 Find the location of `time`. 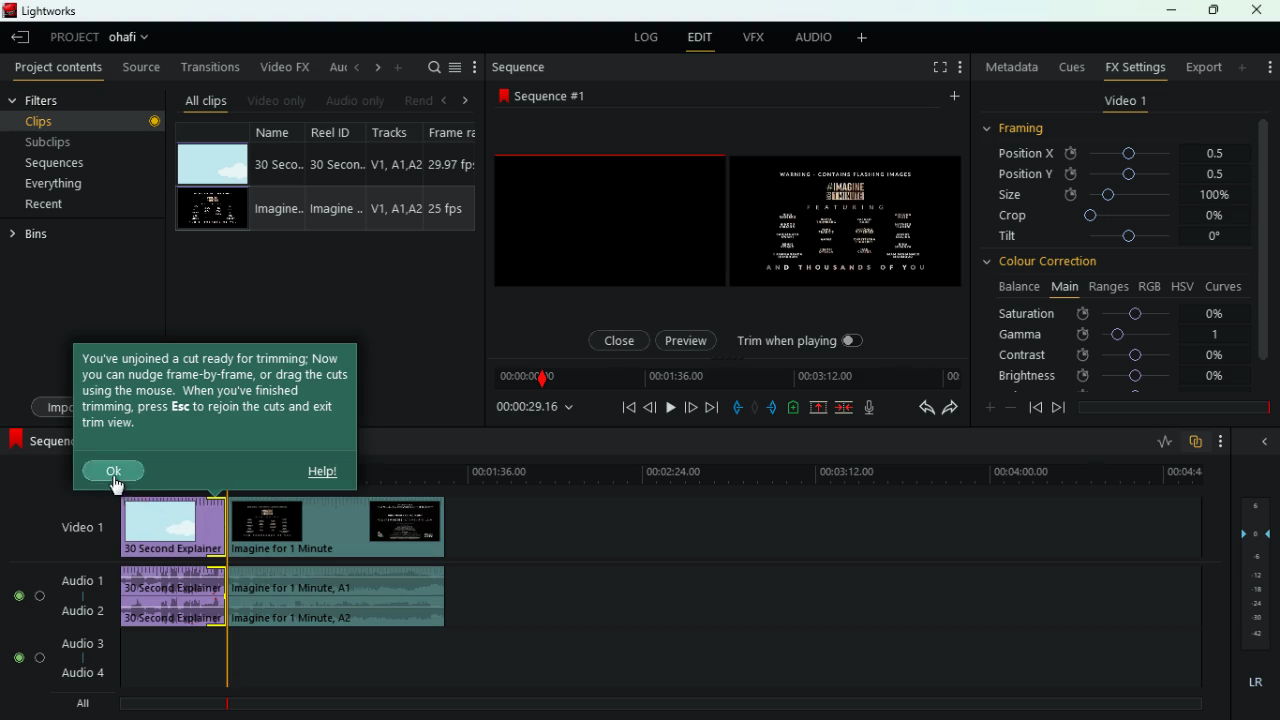

time is located at coordinates (725, 378).